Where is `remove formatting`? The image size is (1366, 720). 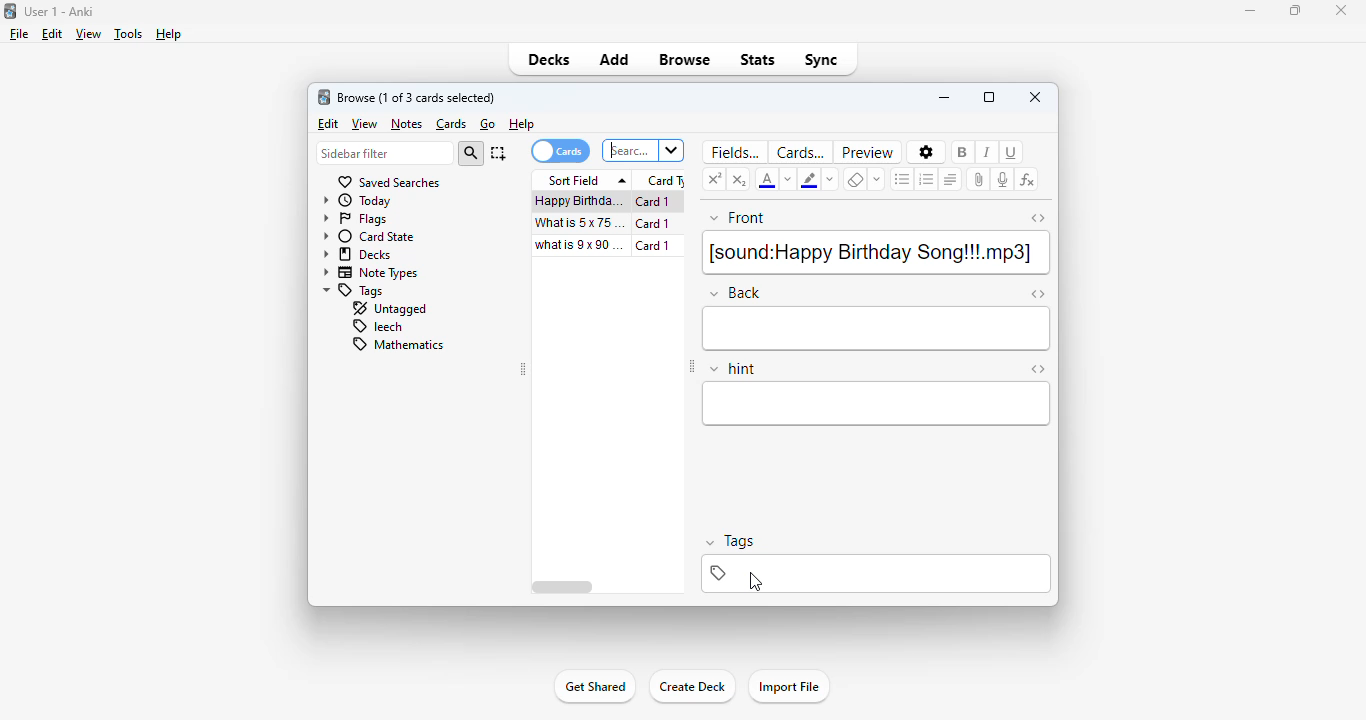 remove formatting is located at coordinates (855, 179).